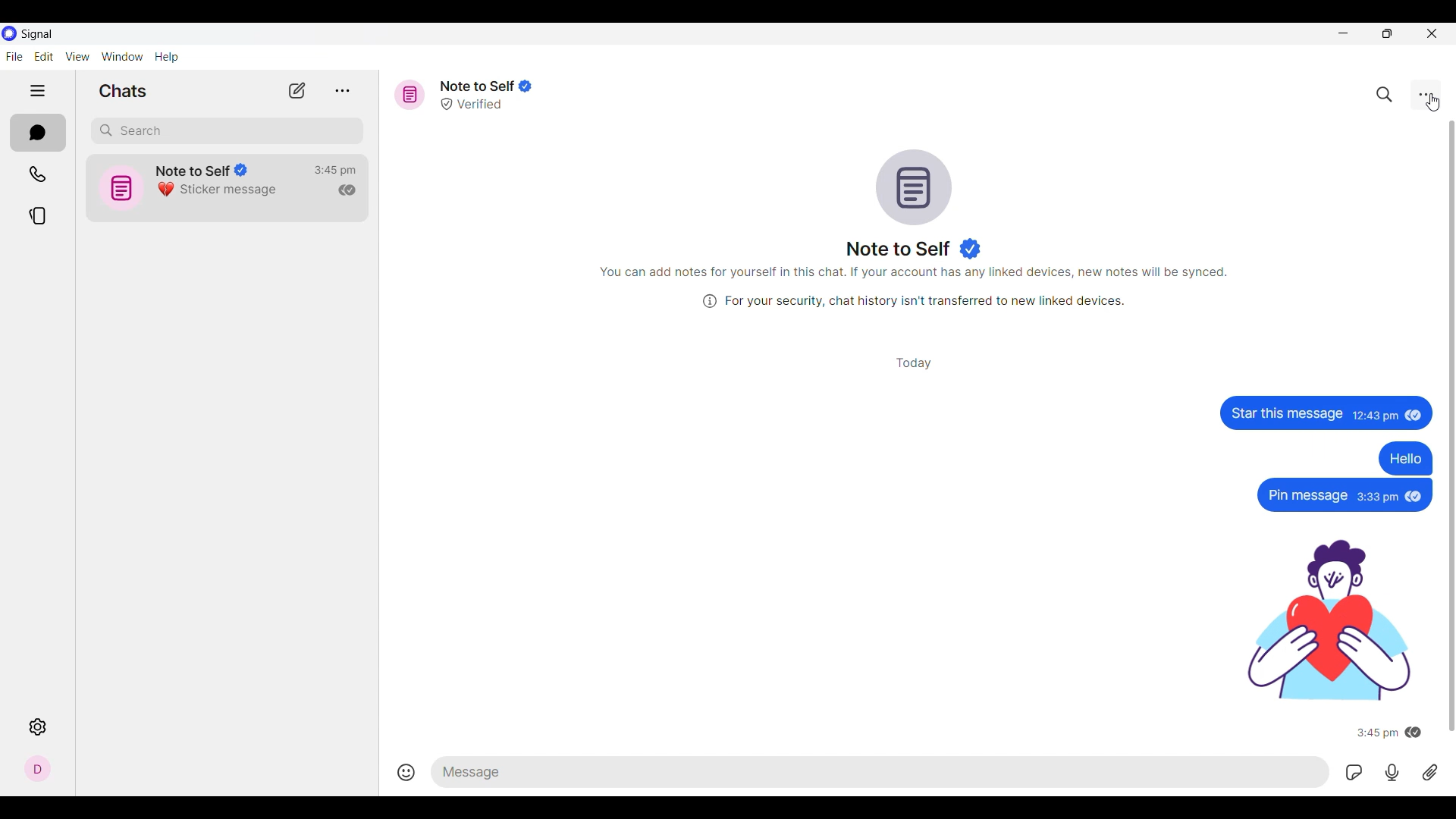  Describe the element at coordinates (1325, 619) in the screenshot. I see `sticker` at that location.